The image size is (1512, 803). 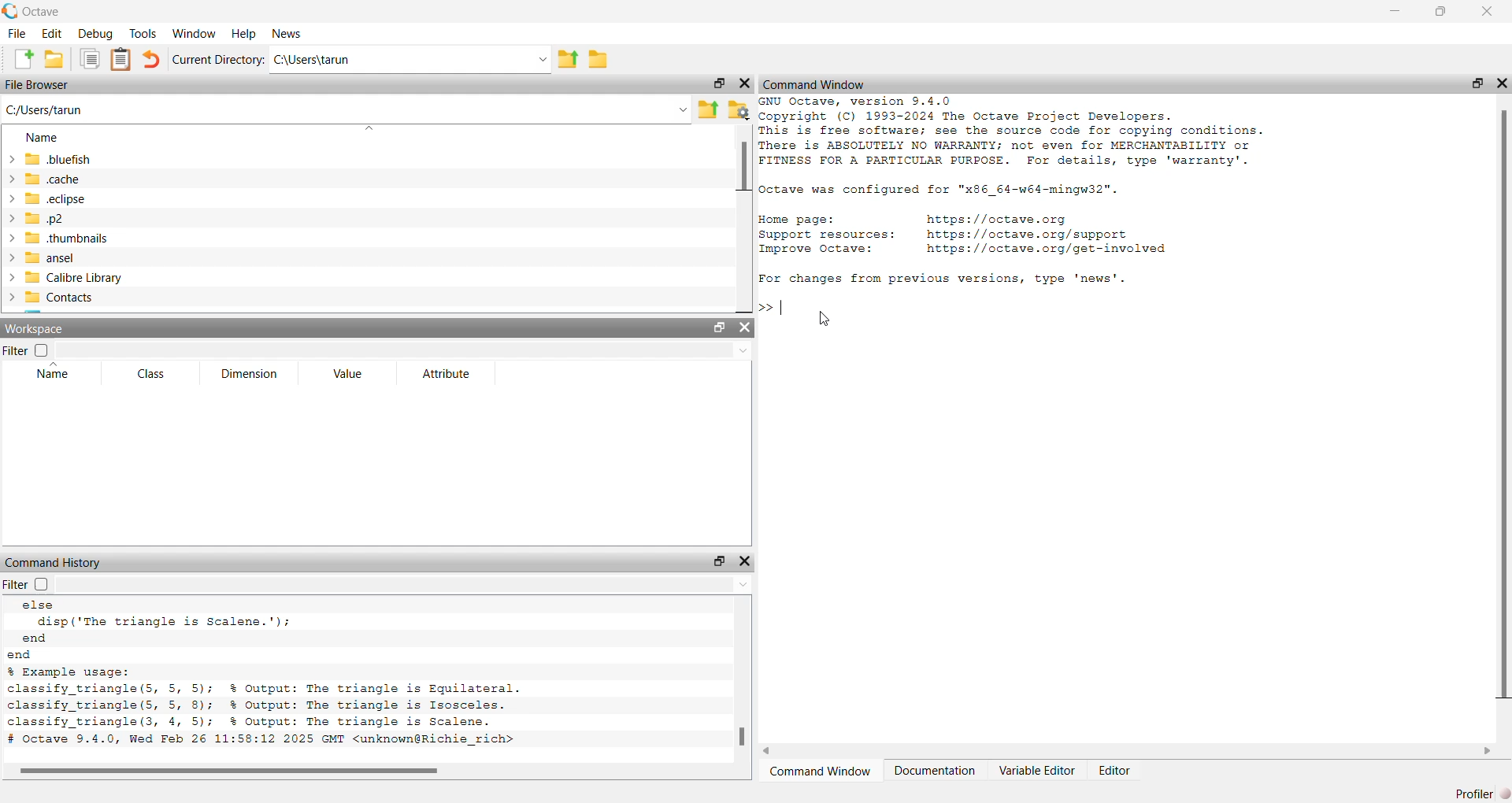 What do you see at coordinates (817, 85) in the screenshot?
I see `command window` at bounding box center [817, 85].